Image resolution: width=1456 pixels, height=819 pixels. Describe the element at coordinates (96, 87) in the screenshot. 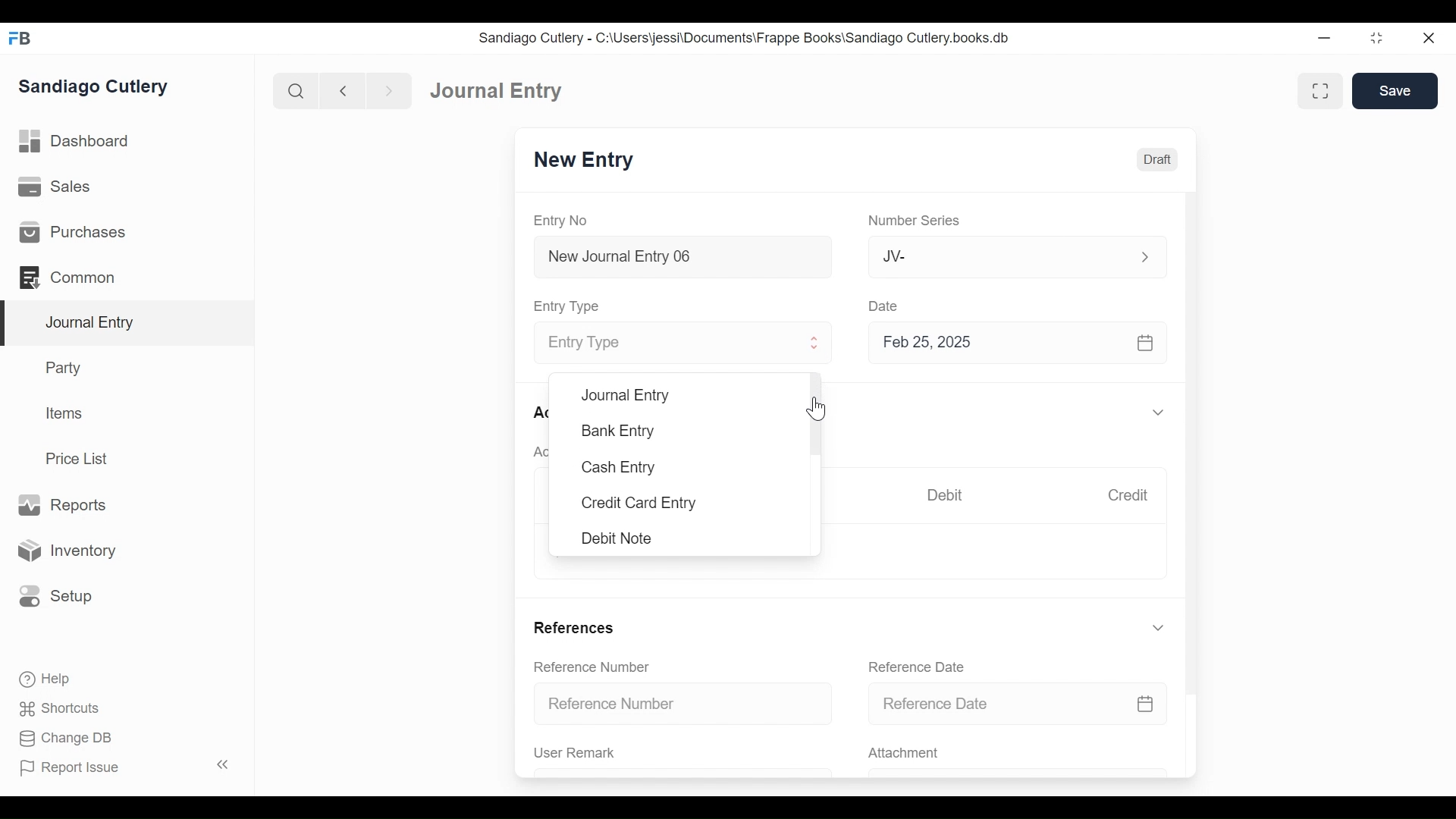

I see `Sandiago Cutlery` at that location.